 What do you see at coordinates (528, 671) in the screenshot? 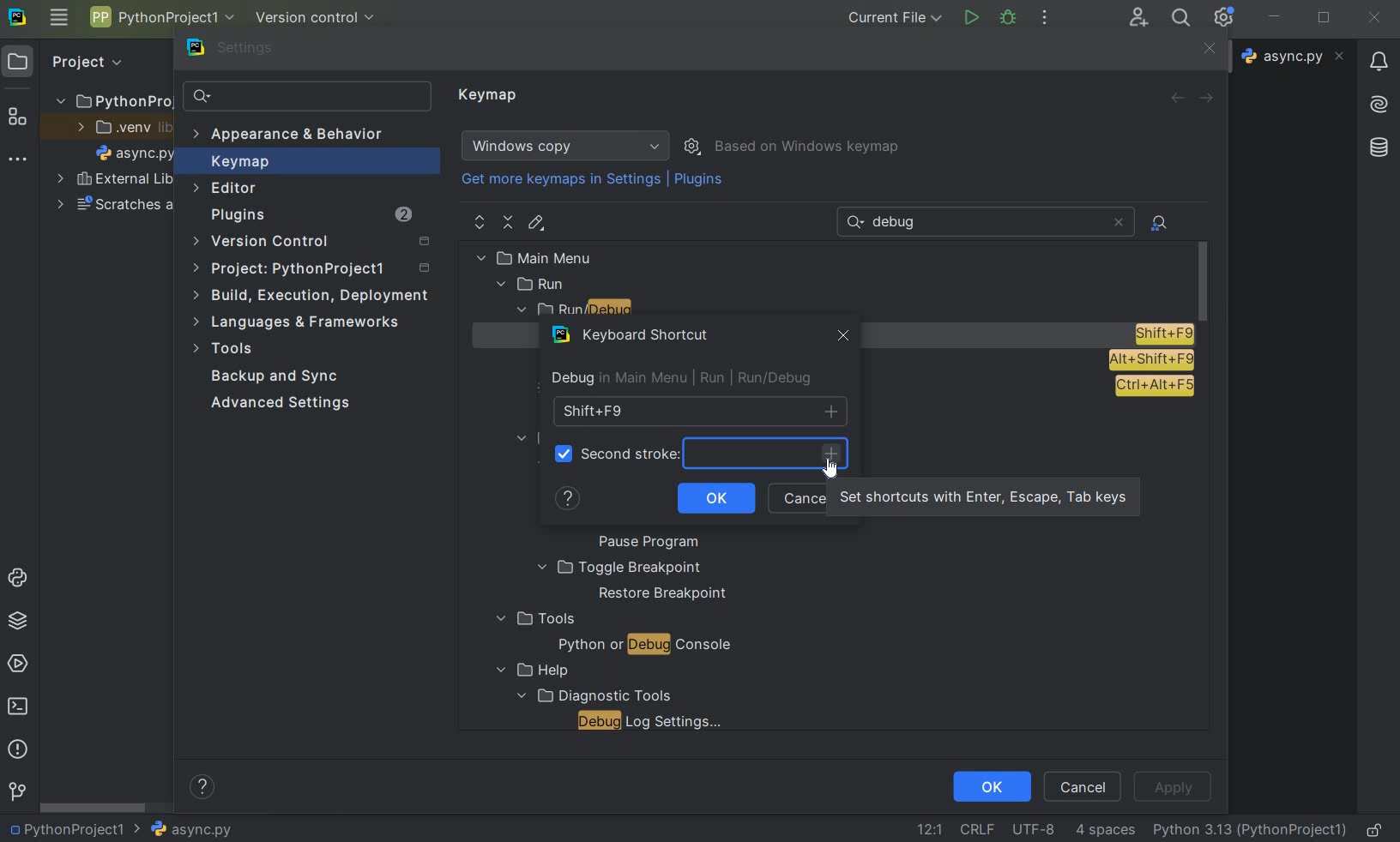
I see `help` at bounding box center [528, 671].